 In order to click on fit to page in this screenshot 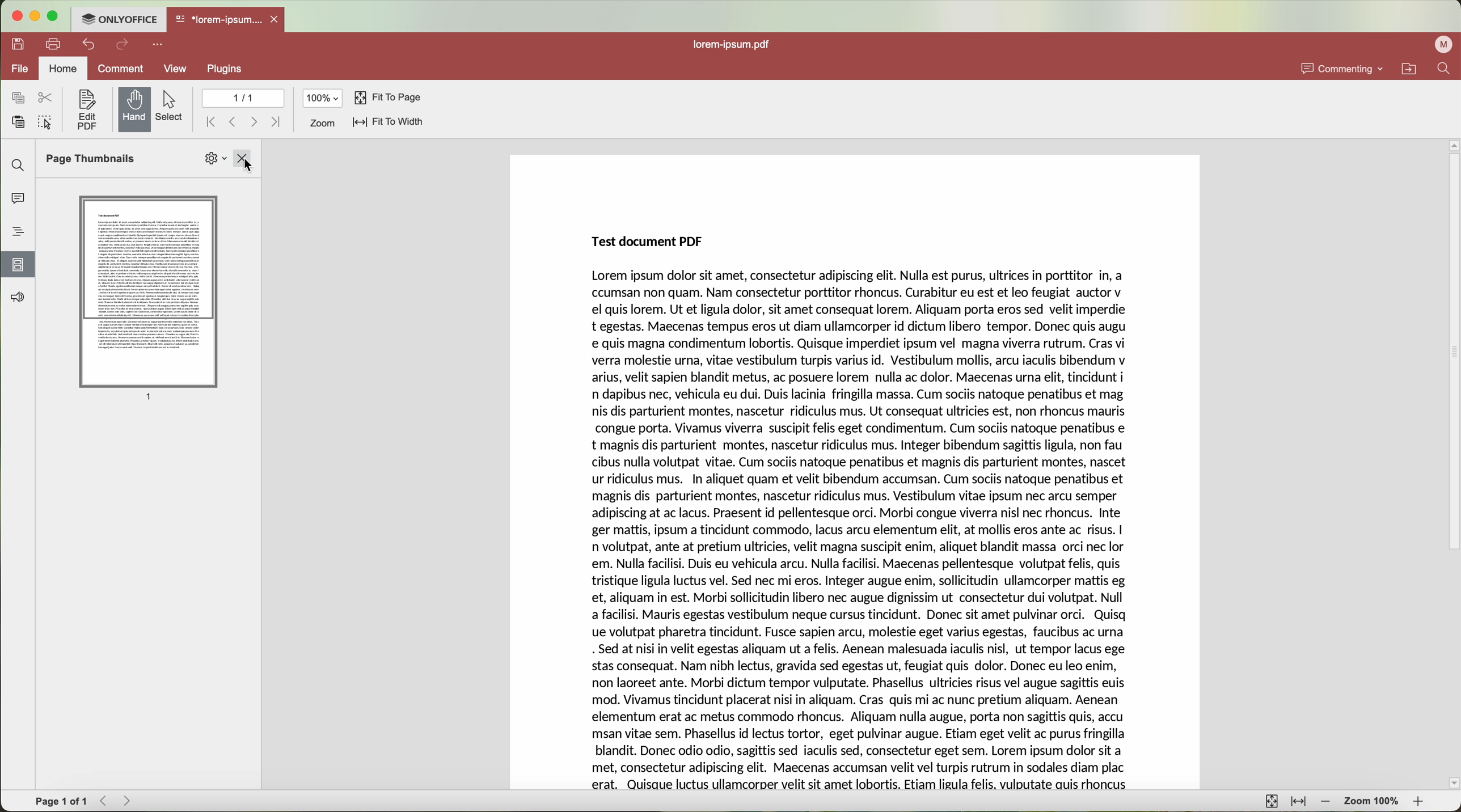, I will do `click(388, 98)`.